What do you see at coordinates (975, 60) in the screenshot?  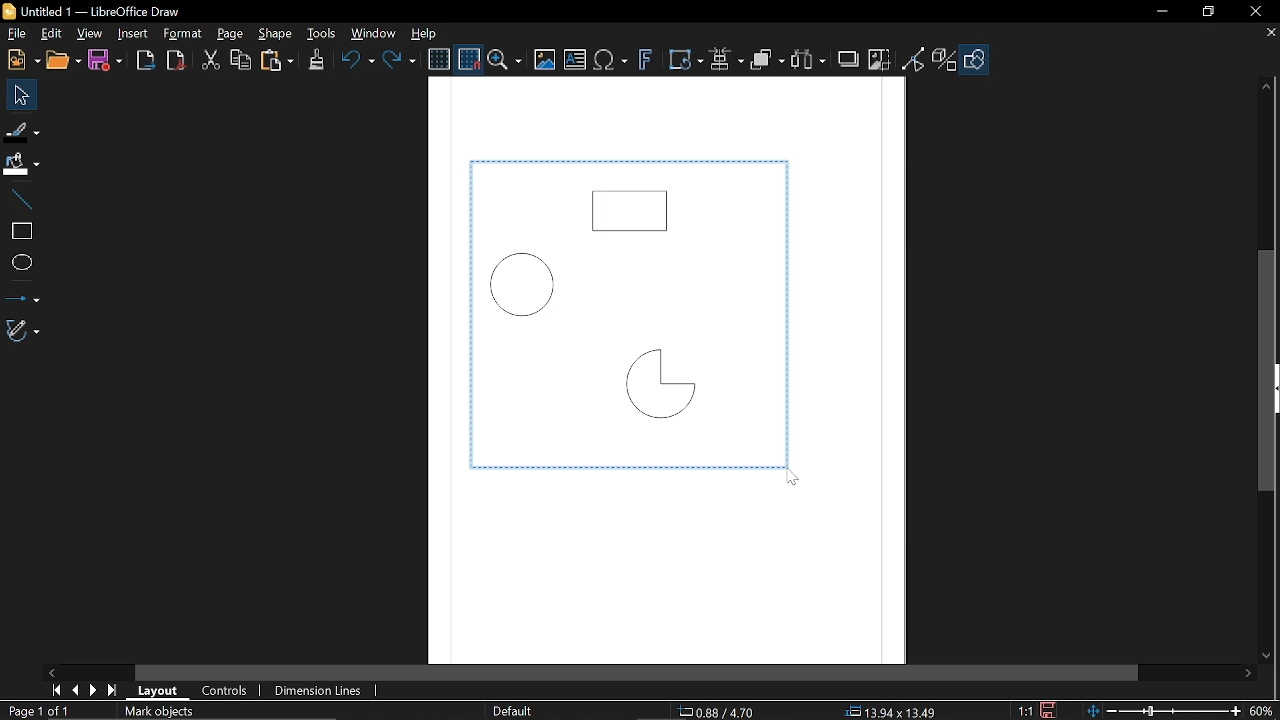 I see `Shapes` at bounding box center [975, 60].